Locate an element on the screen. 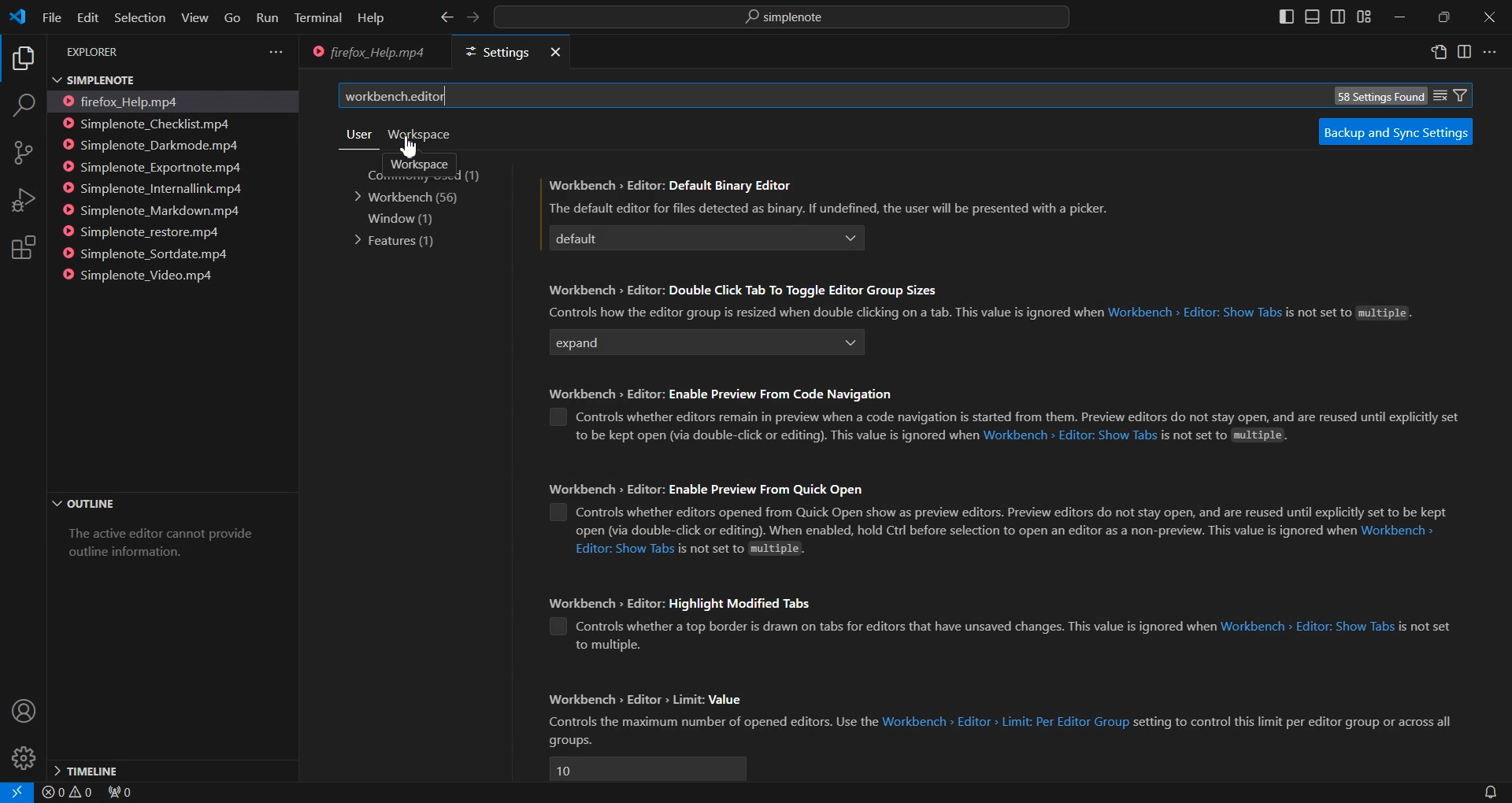  Workbench is located at coordinates (411, 198).